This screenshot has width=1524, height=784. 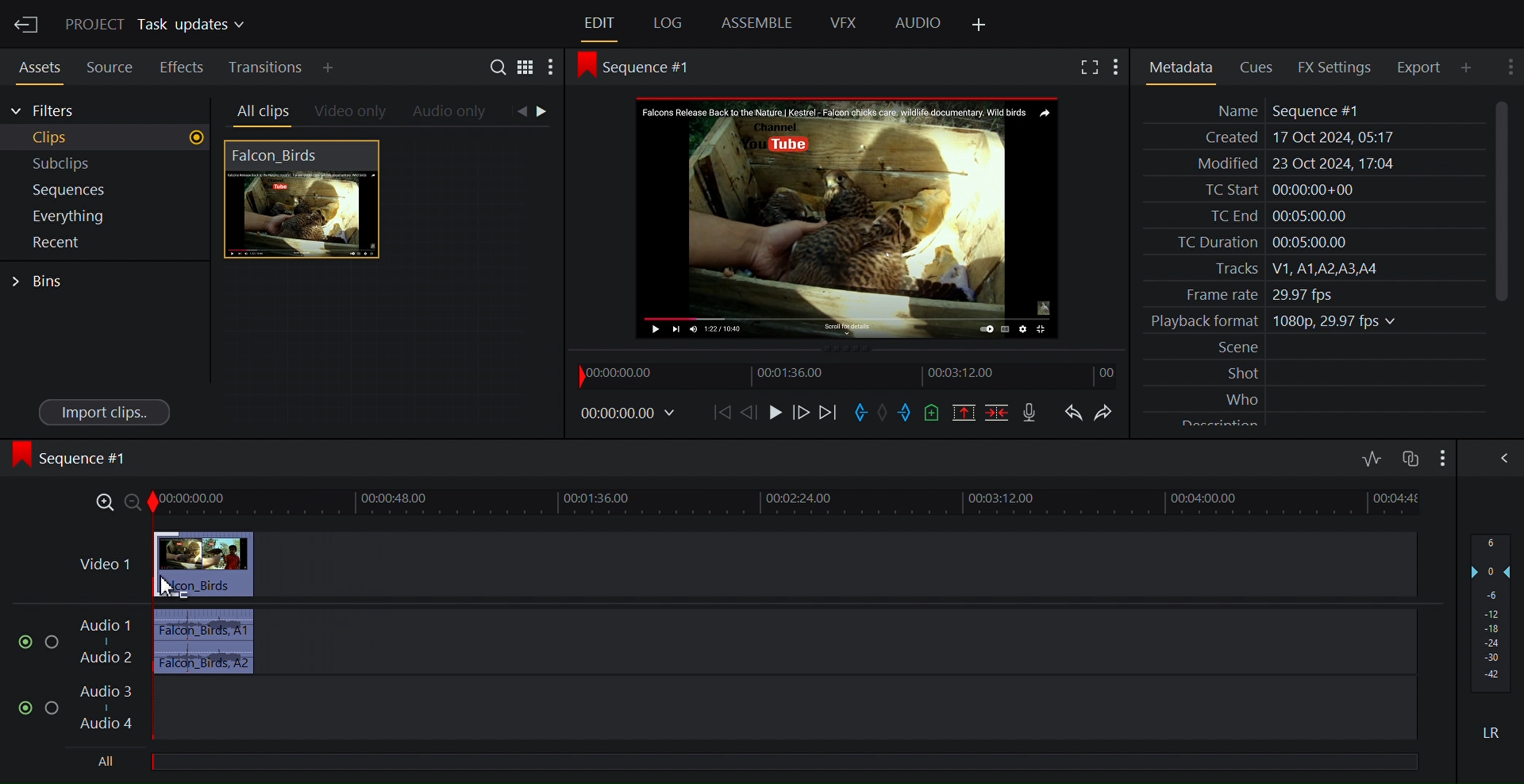 I want to click on timeline, so click(x=788, y=504).